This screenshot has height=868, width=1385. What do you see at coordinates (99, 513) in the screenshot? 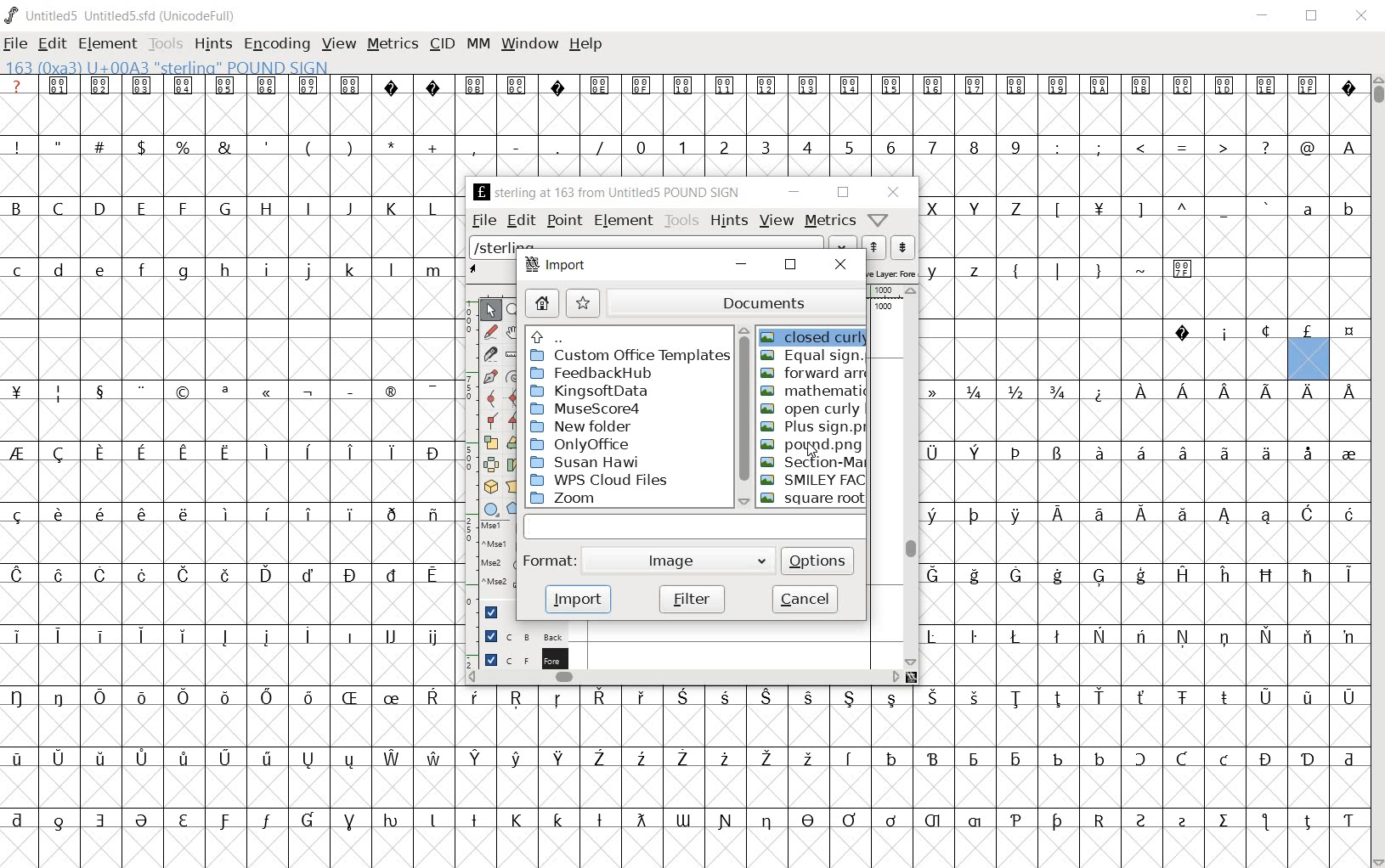
I see `Symbol` at bounding box center [99, 513].